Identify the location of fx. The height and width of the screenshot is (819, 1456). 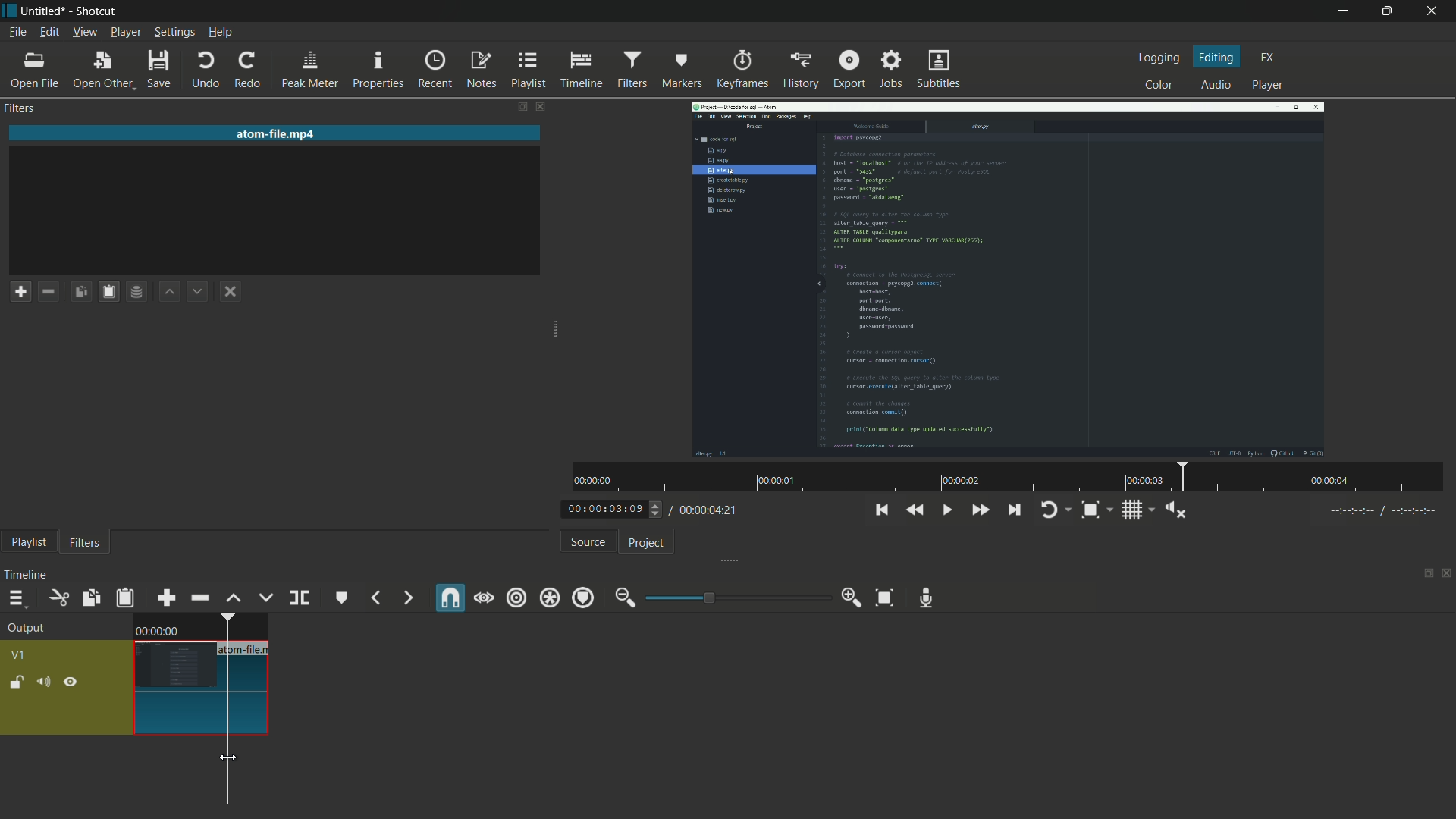
(1268, 58).